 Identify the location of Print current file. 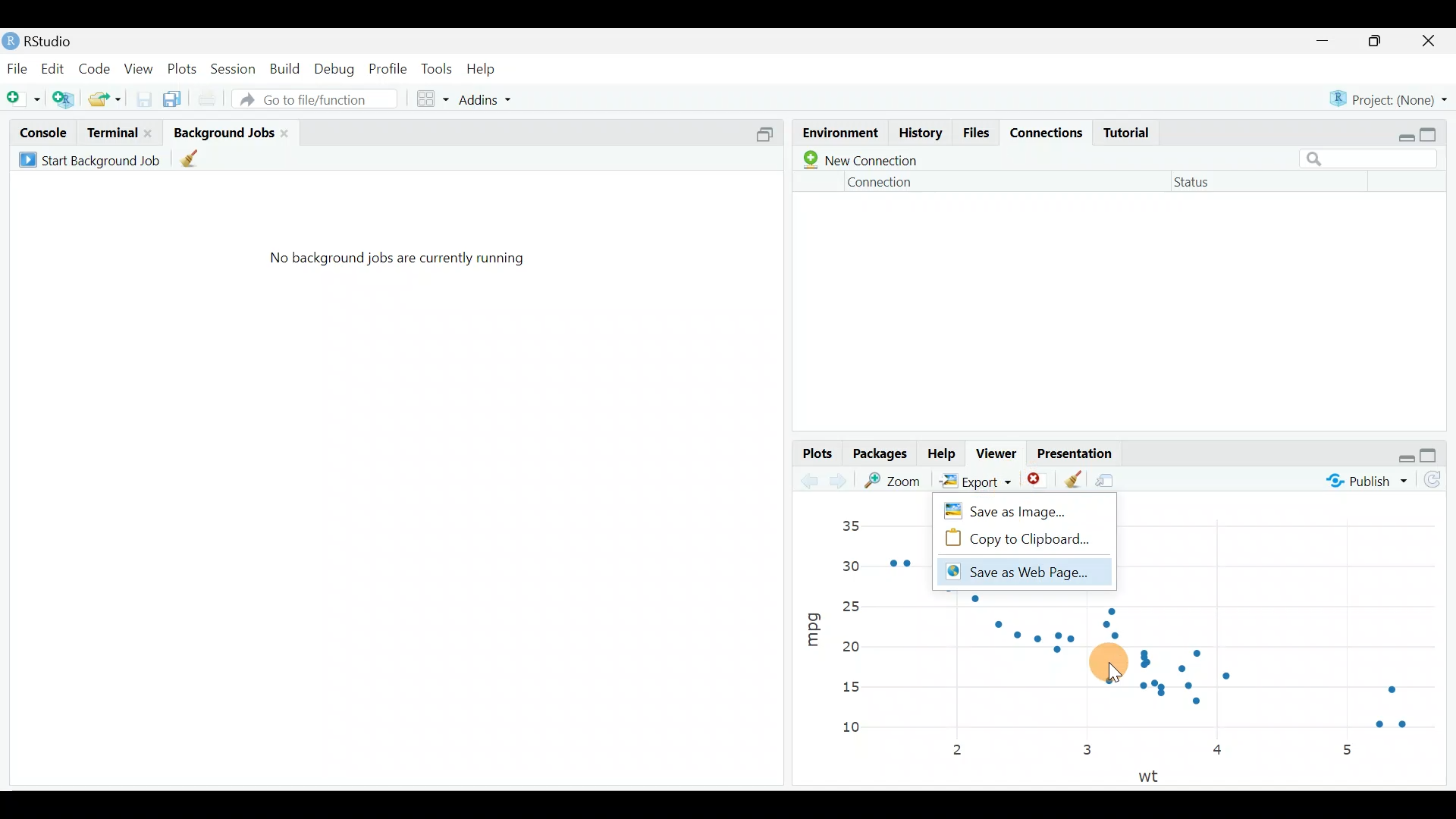
(205, 96).